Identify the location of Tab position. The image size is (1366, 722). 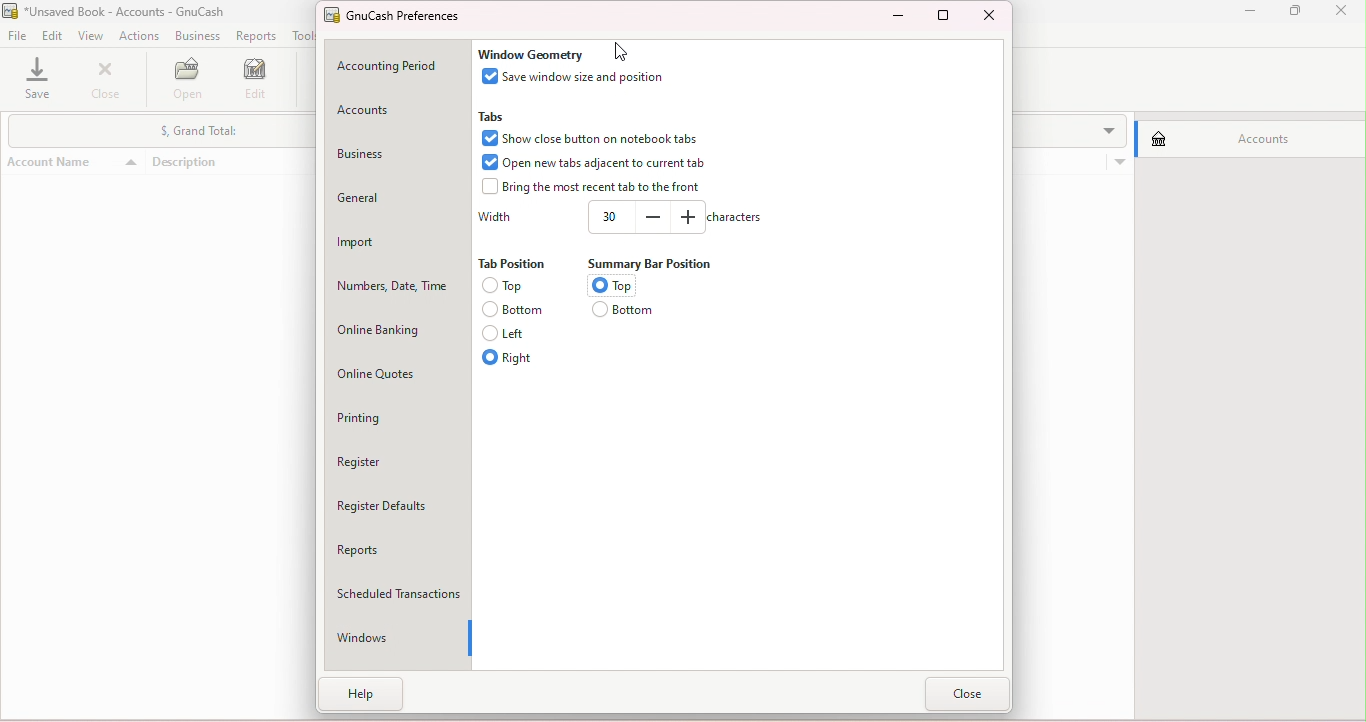
(518, 265).